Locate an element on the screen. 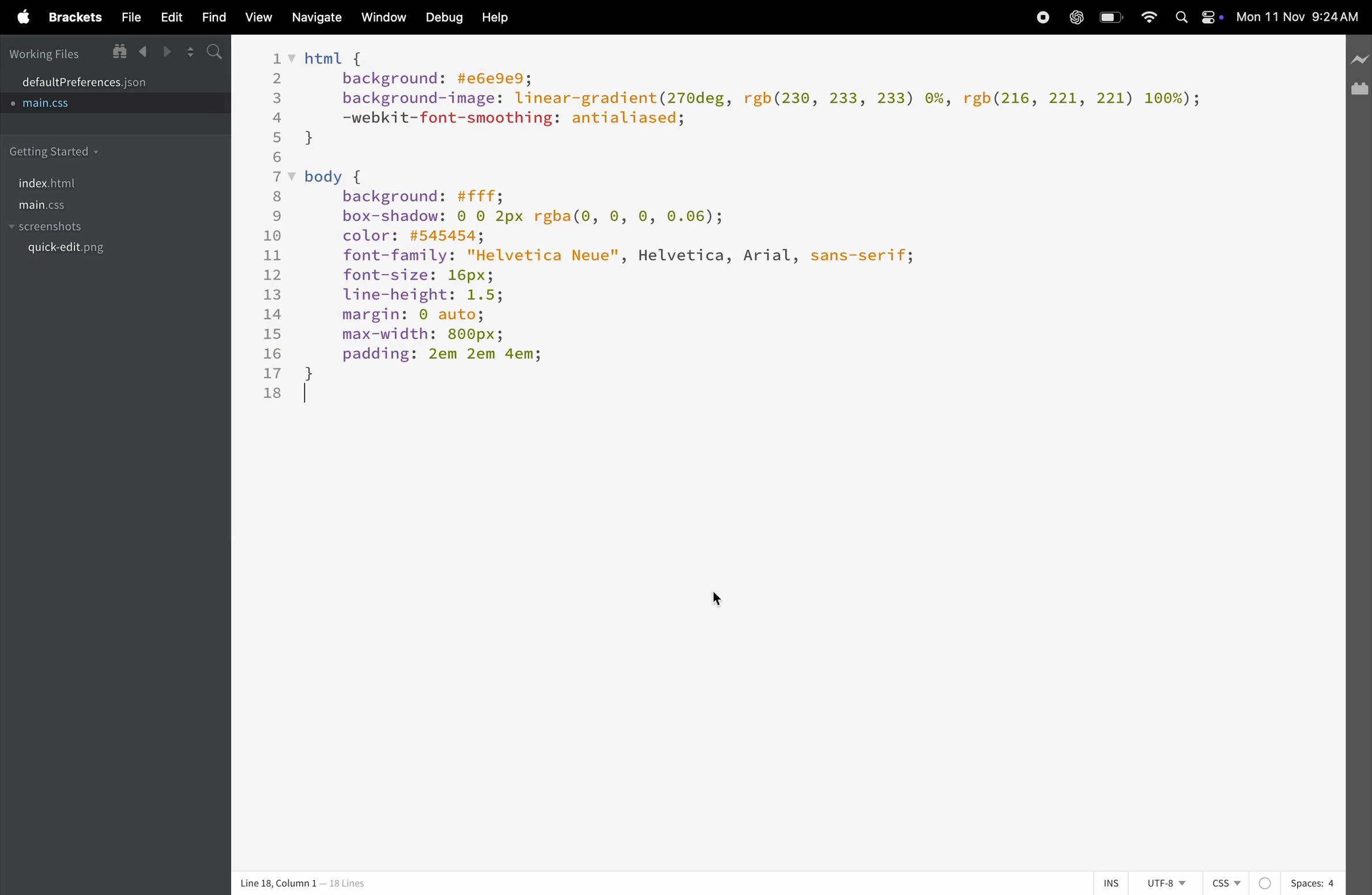  brackets is located at coordinates (73, 19).